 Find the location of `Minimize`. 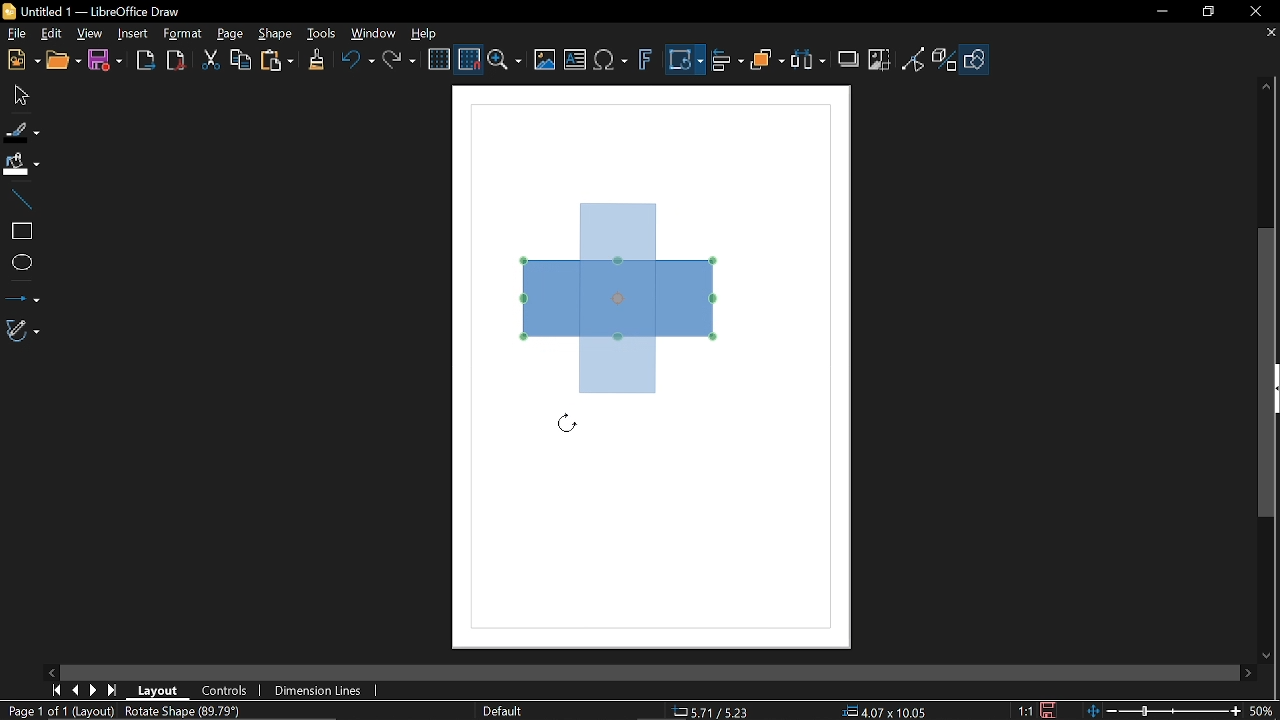

Minimize is located at coordinates (1159, 12).